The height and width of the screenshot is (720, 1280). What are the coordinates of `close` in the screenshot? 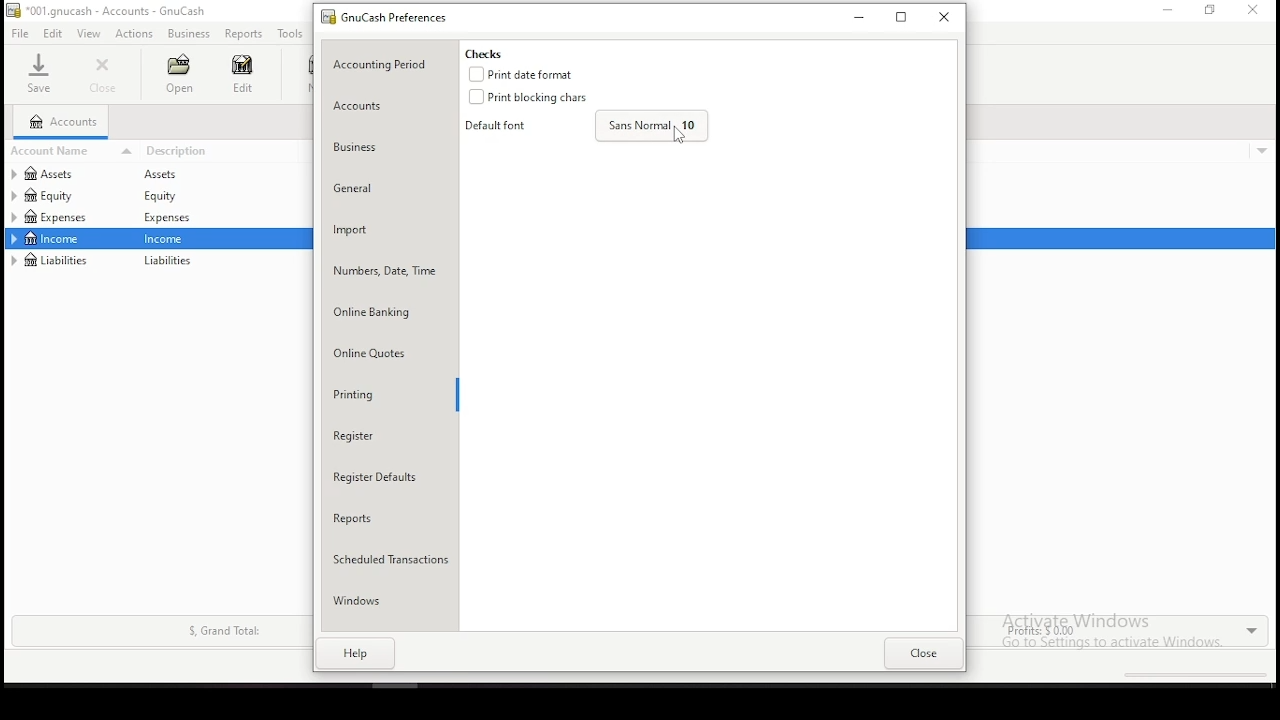 It's located at (924, 654).